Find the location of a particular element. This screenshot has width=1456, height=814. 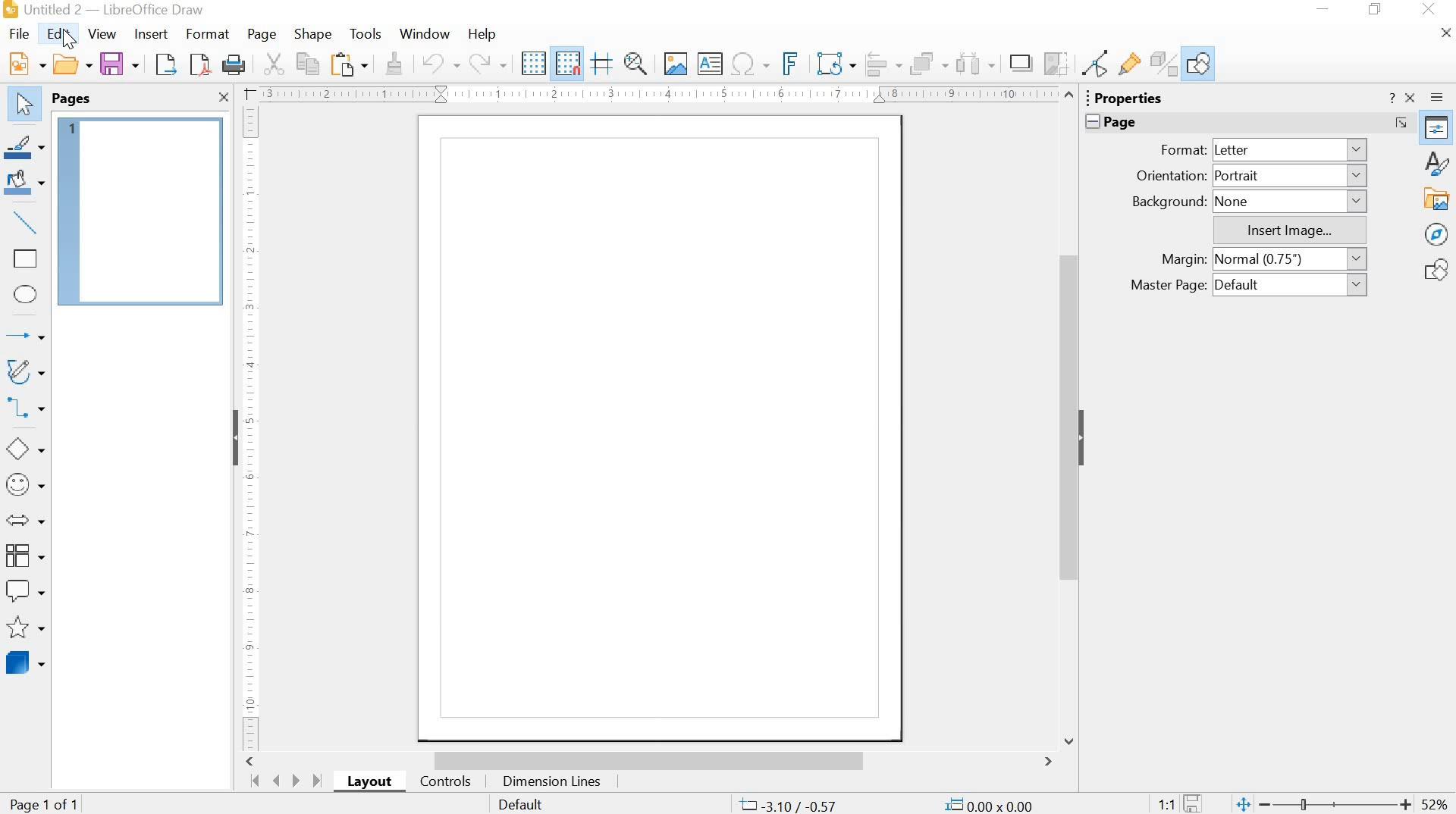

Display Grid is located at coordinates (535, 63).